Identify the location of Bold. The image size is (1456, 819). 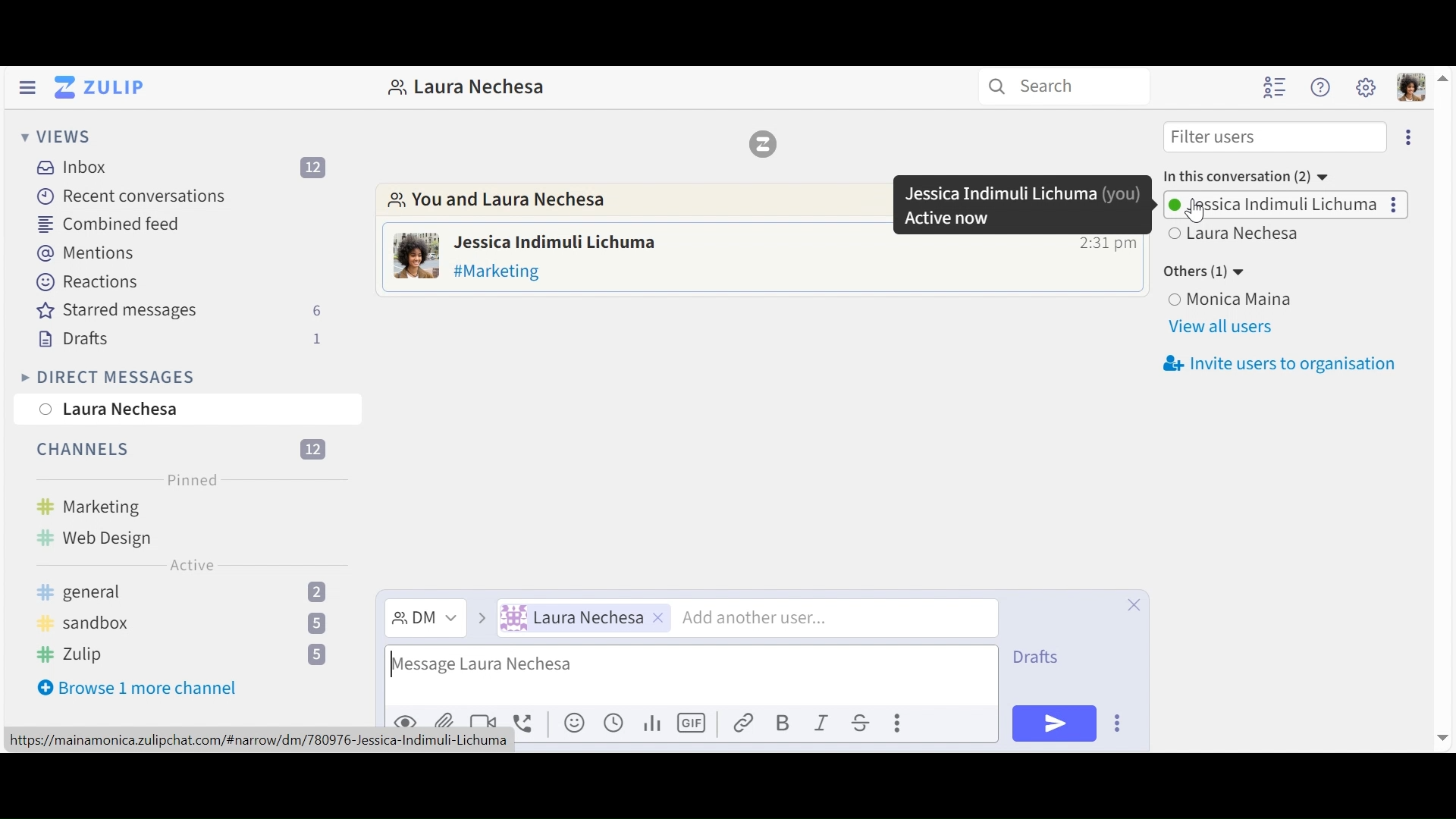
(785, 723).